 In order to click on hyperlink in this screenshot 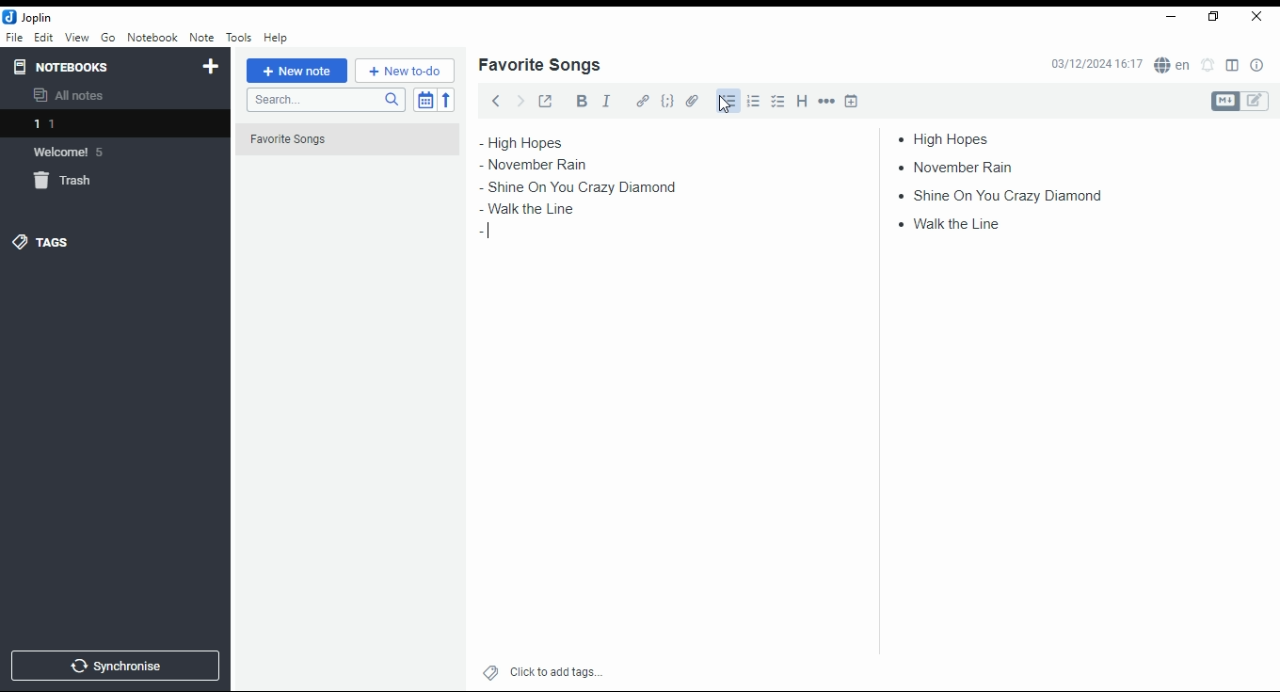, I will do `click(643, 100)`.